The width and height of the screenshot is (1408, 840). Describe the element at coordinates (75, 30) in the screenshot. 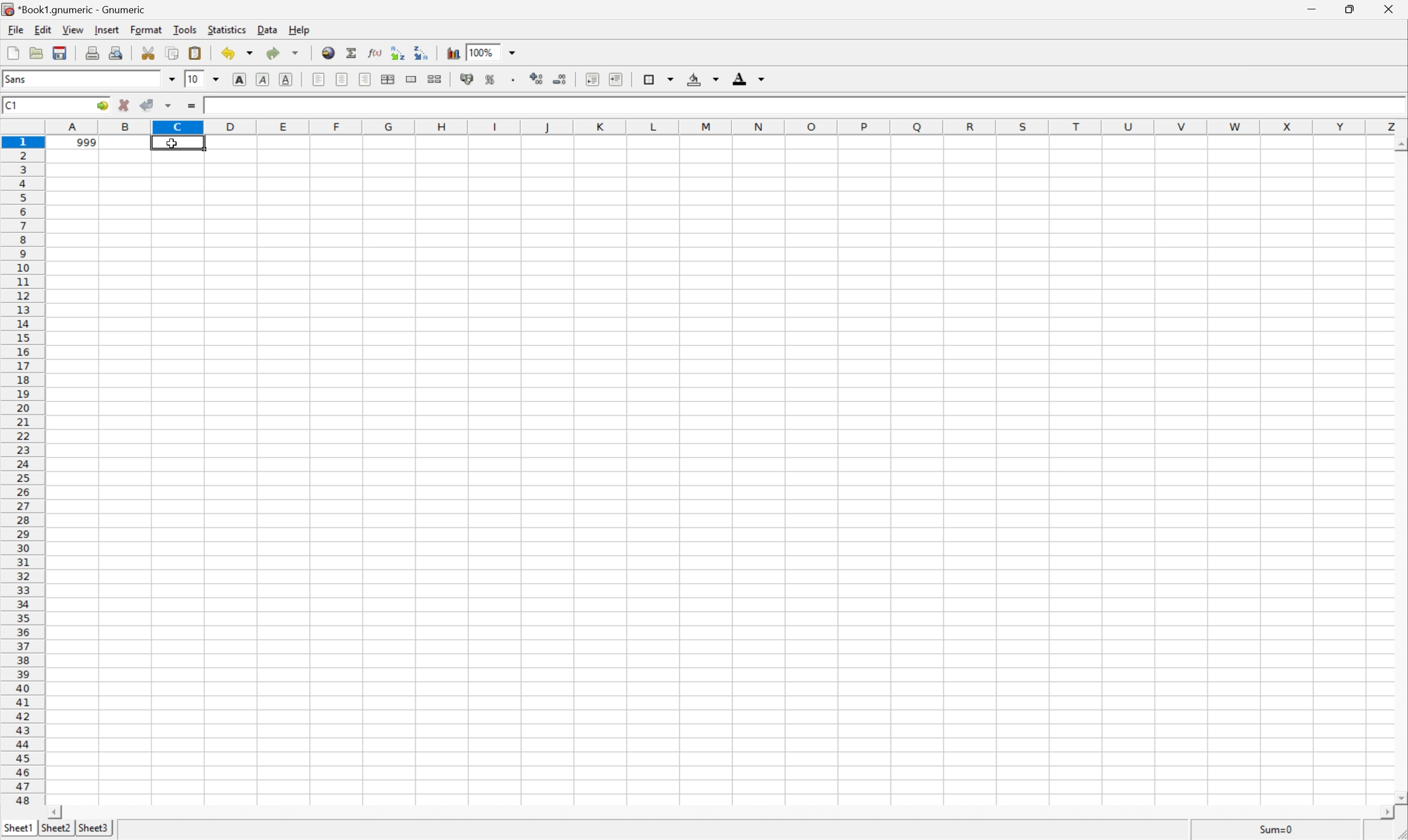

I see `view` at that location.